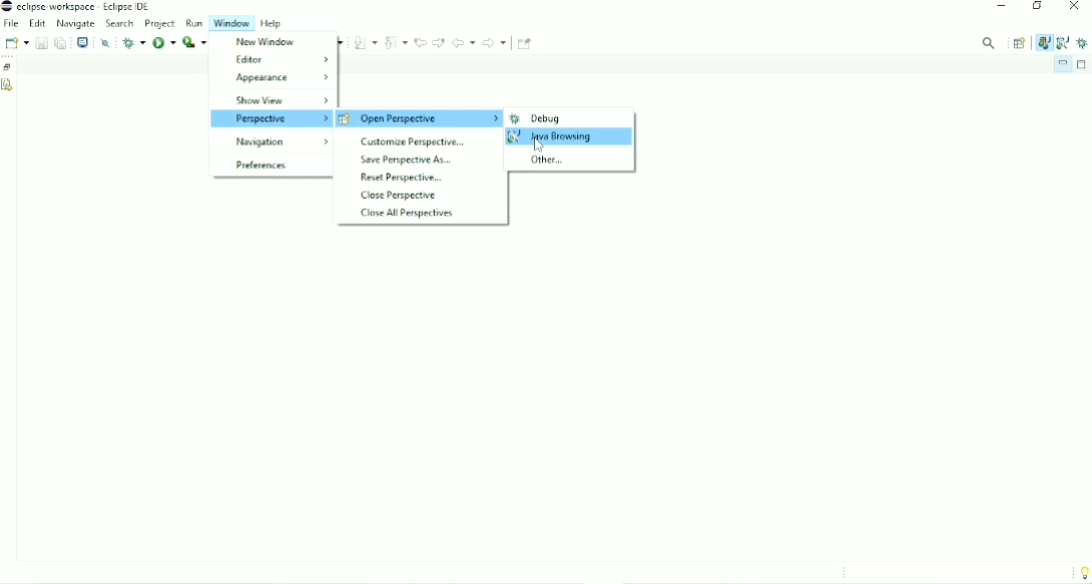 Image resolution: width=1092 pixels, height=584 pixels. What do you see at coordinates (84, 42) in the screenshot?
I see `Open a terminal` at bounding box center [84, 42].